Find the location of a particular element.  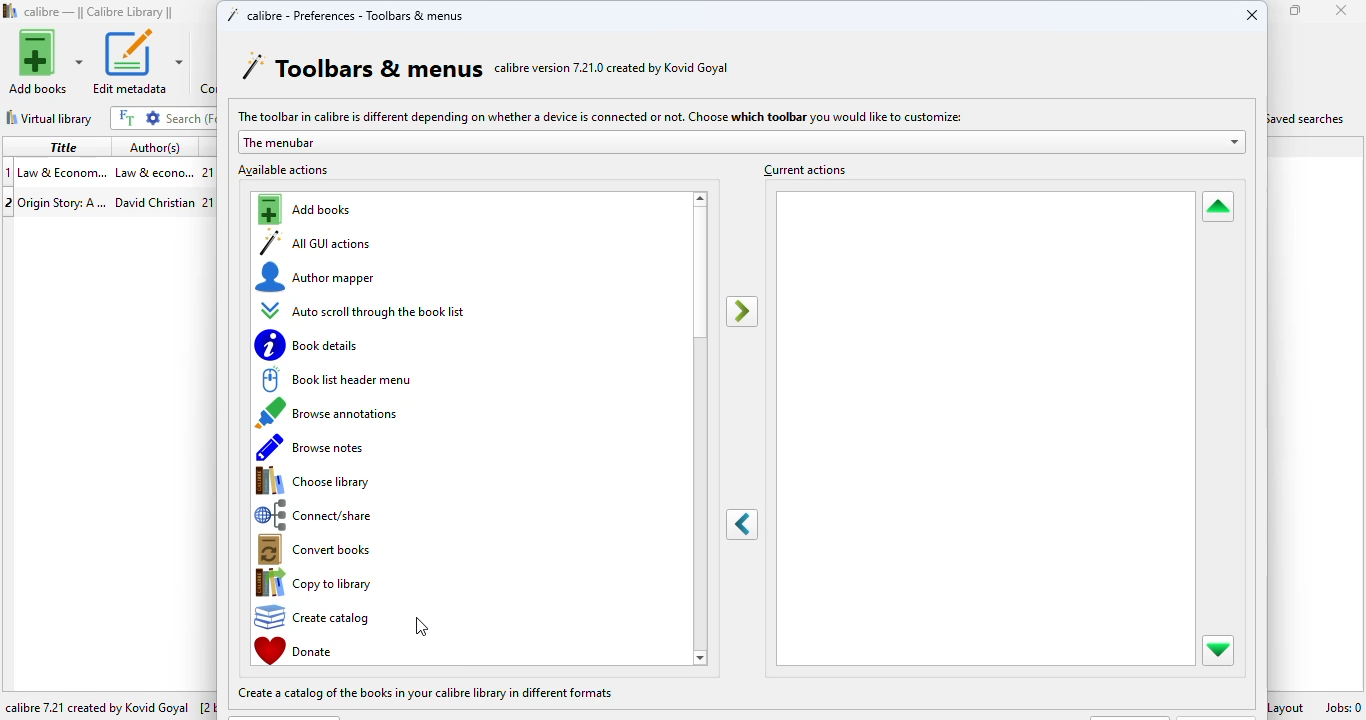

toolbars & menus is located at coordinates (362, 67).